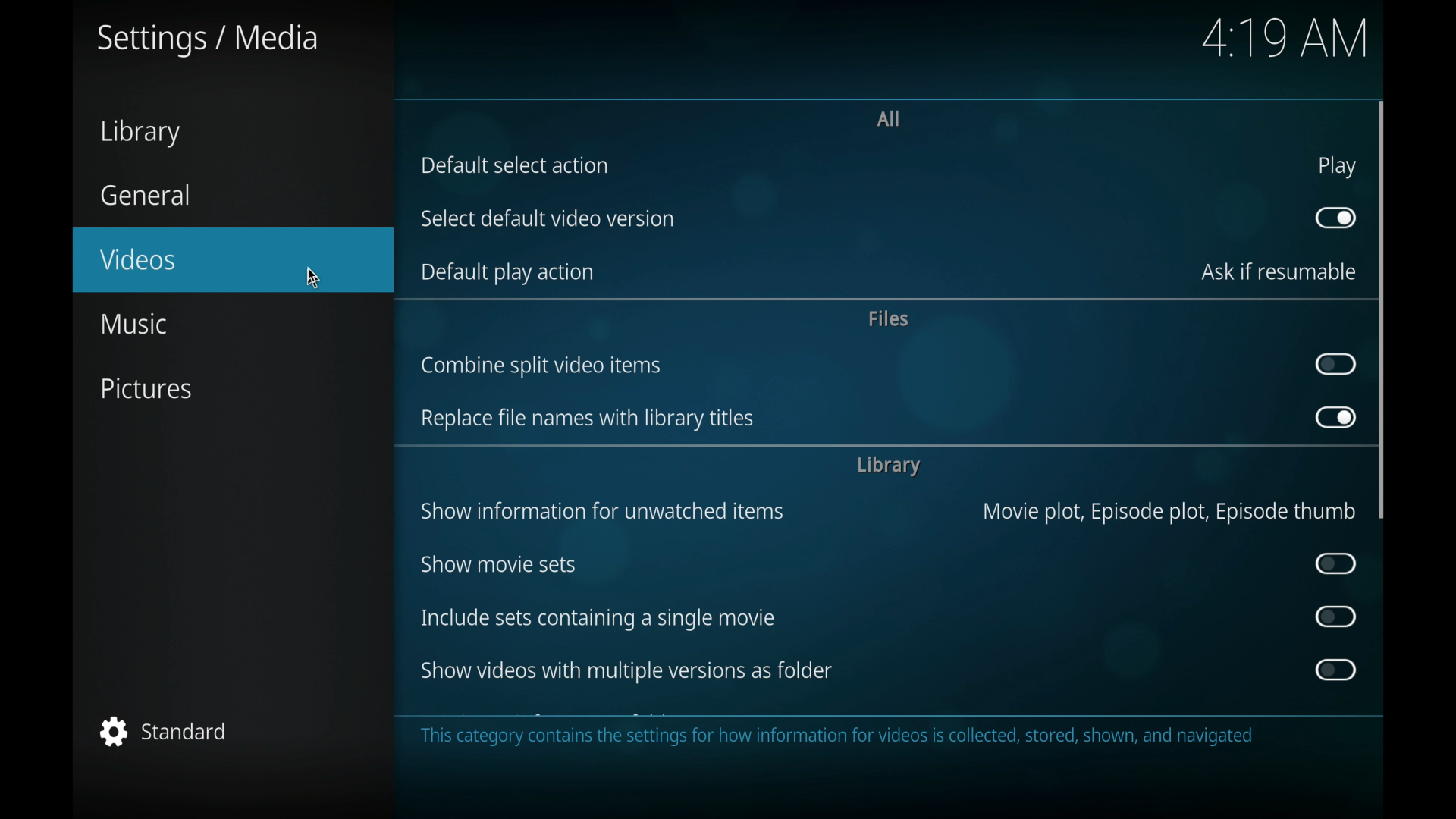  Describe the element at coordinates (233, 260) in the screenshot. I see `videos` at that location.